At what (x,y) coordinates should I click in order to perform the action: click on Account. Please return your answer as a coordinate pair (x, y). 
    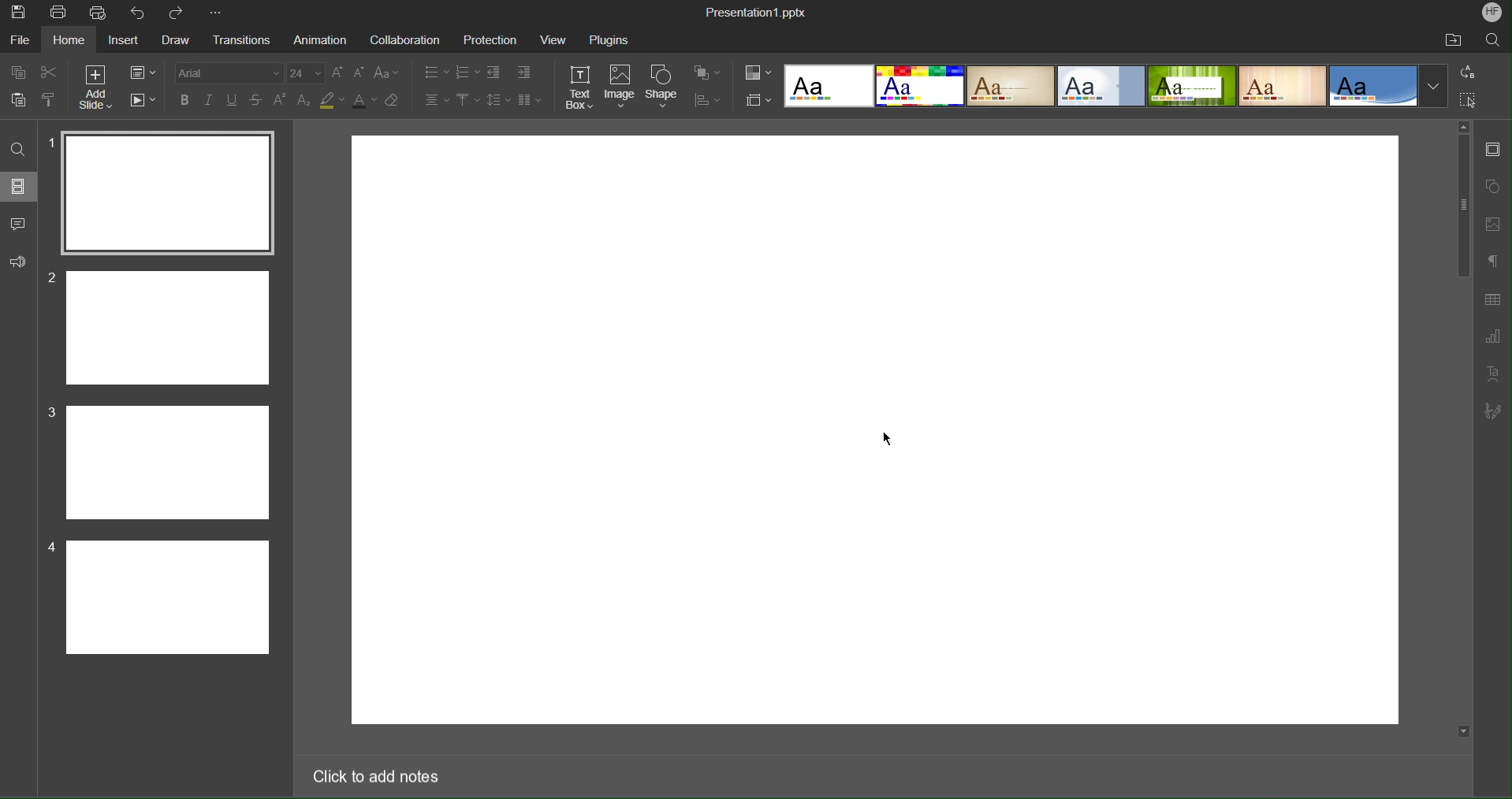
    Looking at the image, I should click on (1490, 13).